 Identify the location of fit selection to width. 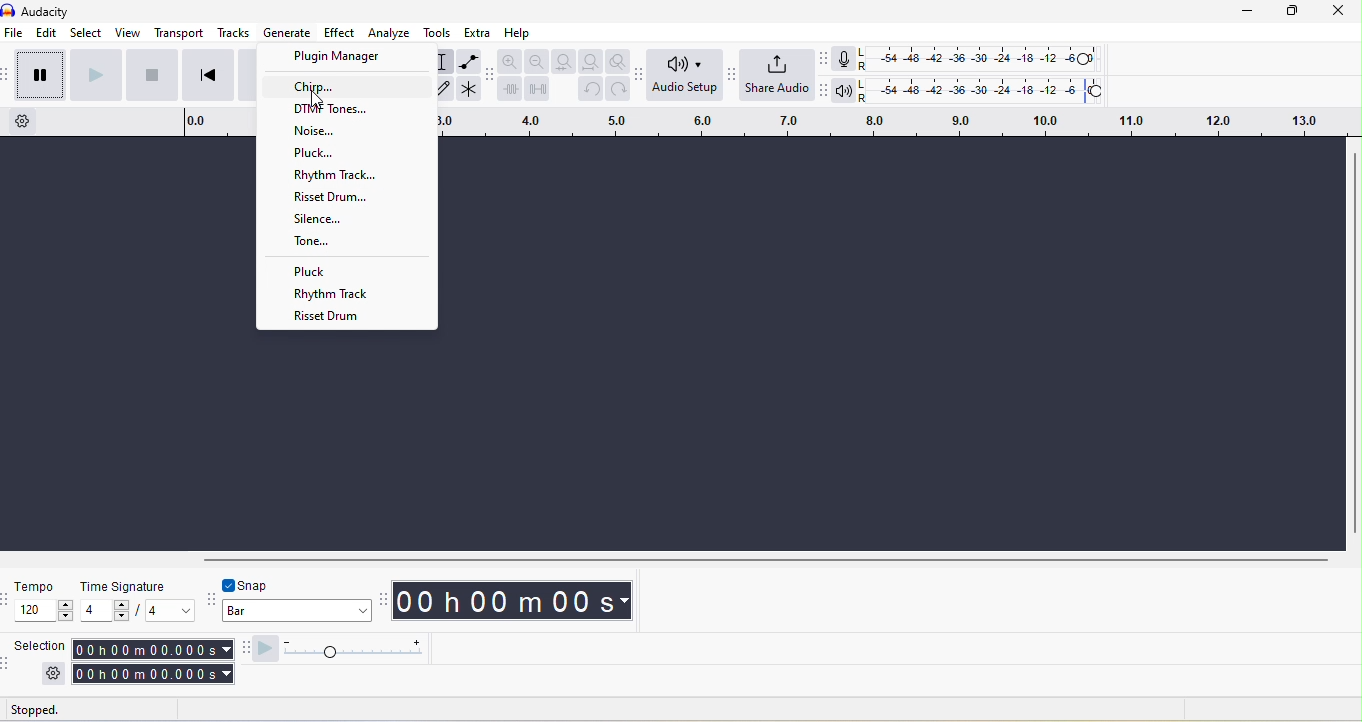
(561, 61).